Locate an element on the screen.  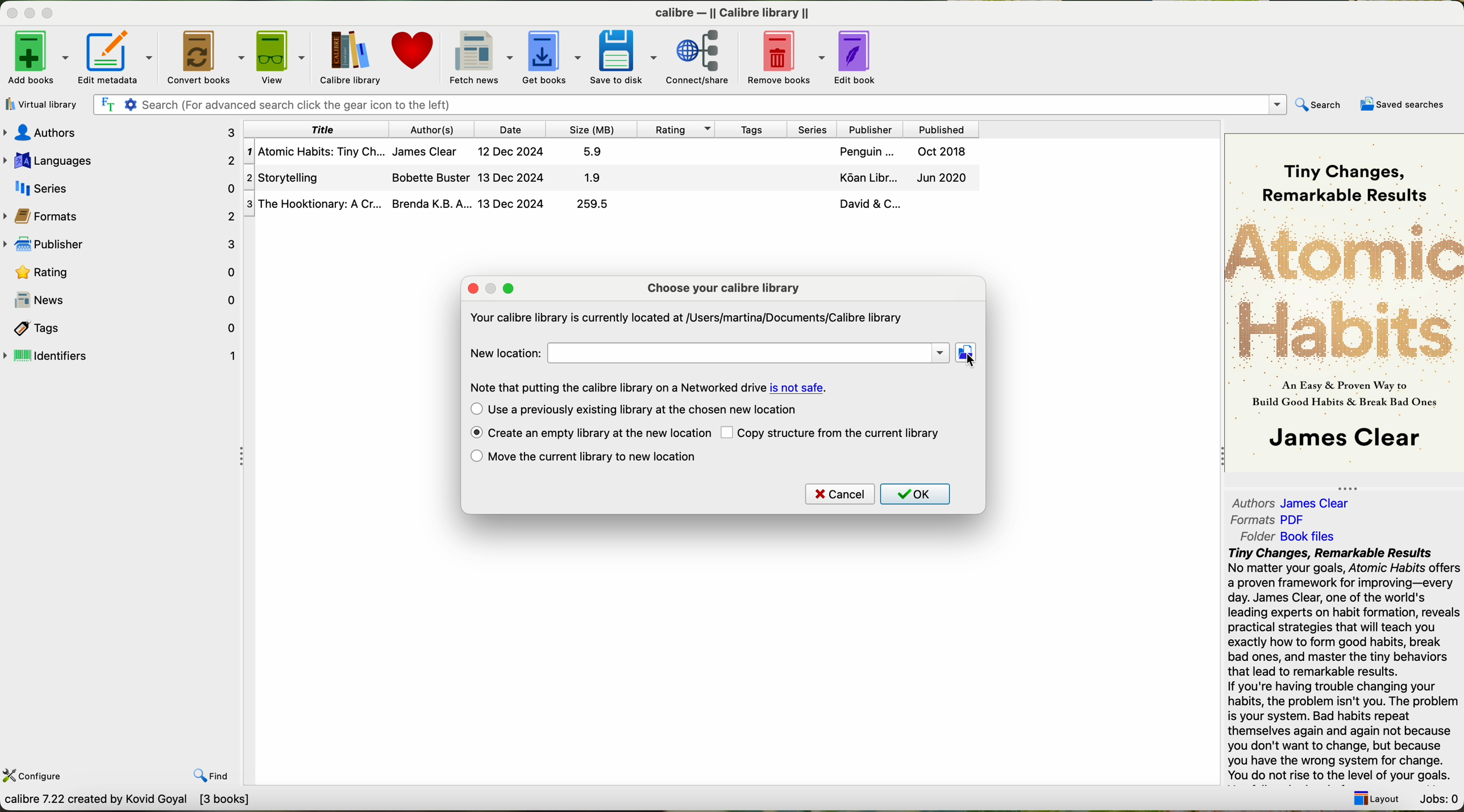
cursor is located at coordinates (970, 363).